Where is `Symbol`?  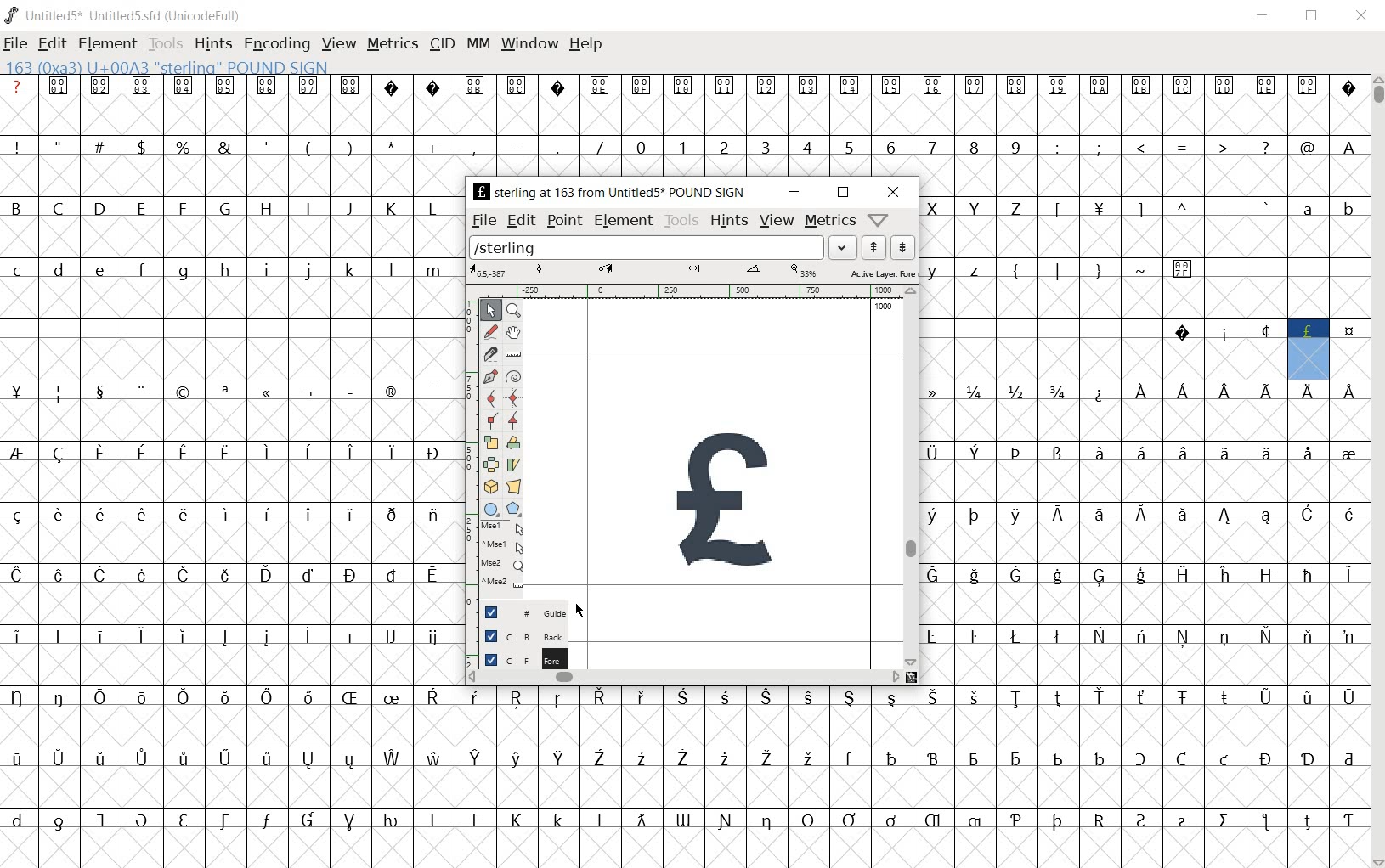
Symbol is located at coordinates (1015, 821).